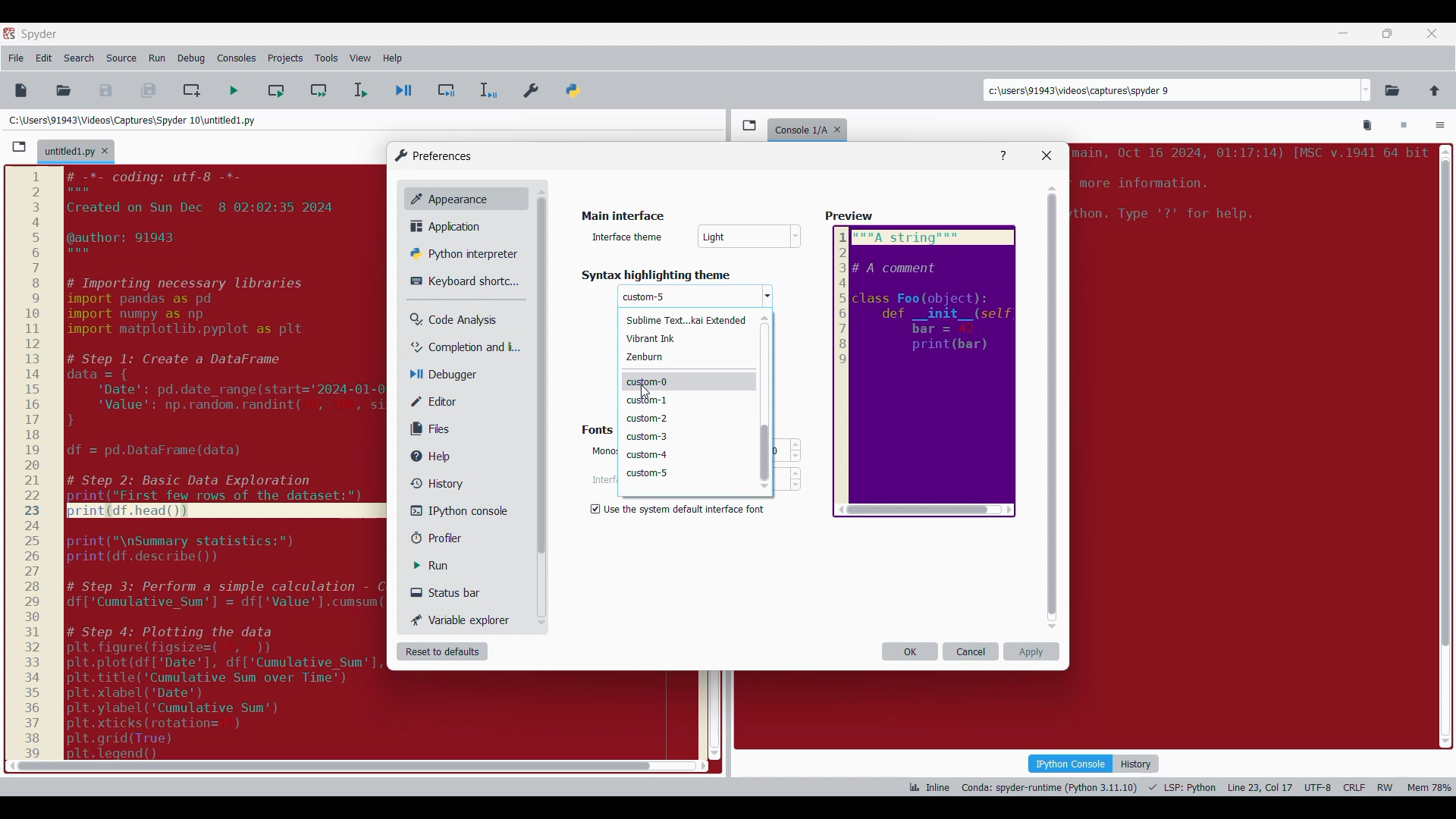 The image size is (1456, 819). What do you see at coordinates (192, 90) in the screenshot?
I see `Create new cell at current line` at bounding box center [192, 90].